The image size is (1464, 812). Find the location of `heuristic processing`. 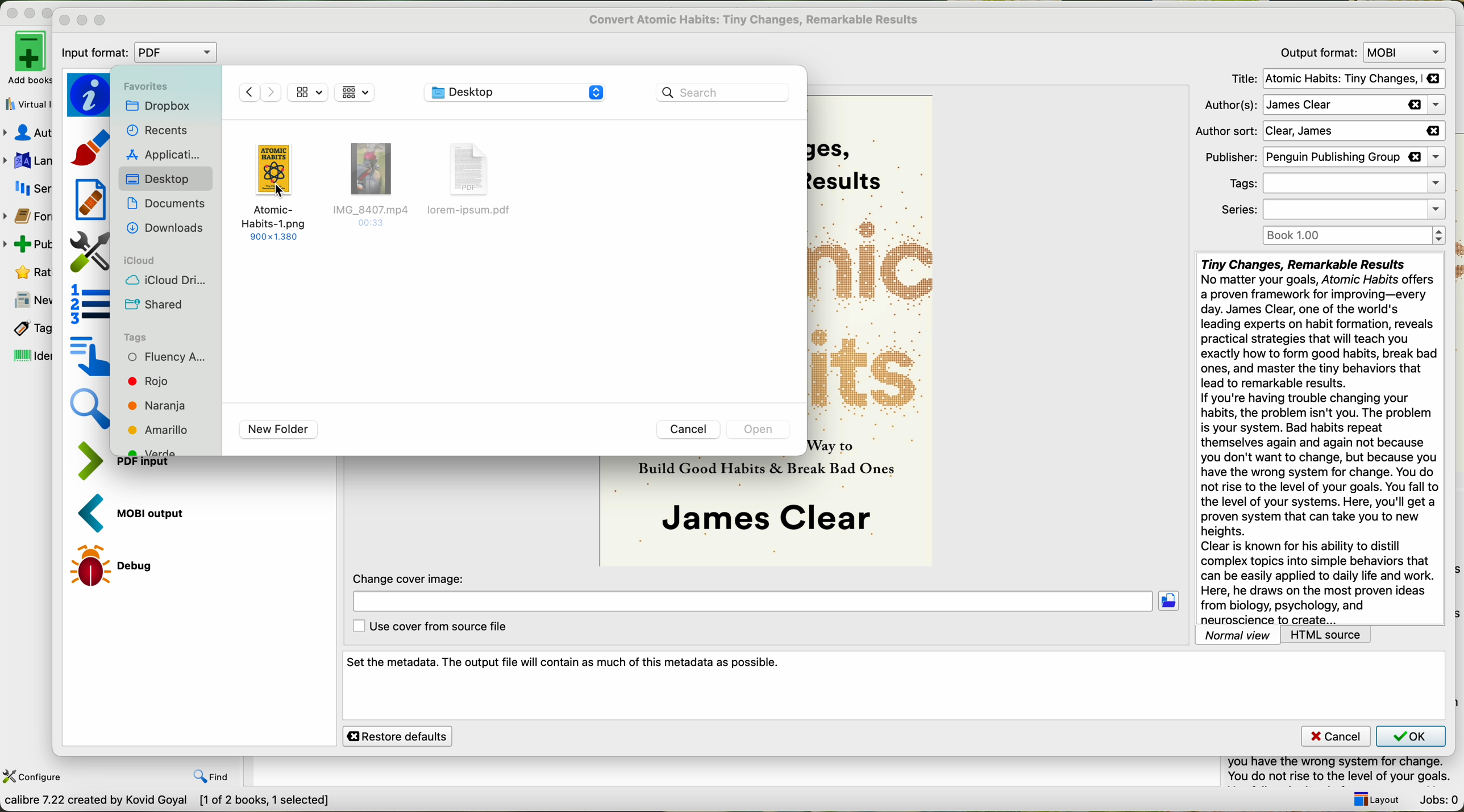

heuristic processing is located at coordinates (90, 199).